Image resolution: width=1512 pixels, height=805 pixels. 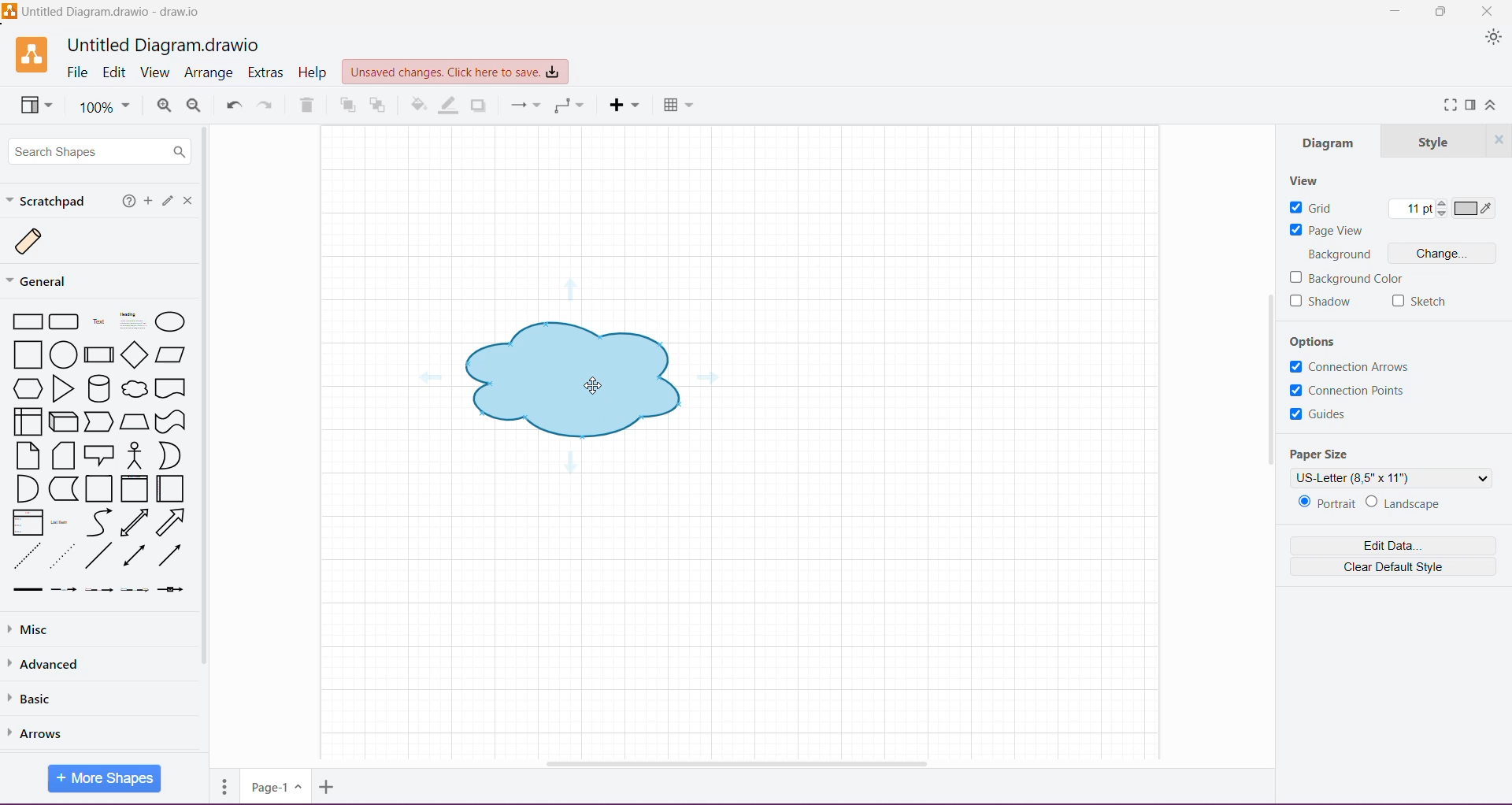 I want to click on Diagram, so click(x=1330, y=143).